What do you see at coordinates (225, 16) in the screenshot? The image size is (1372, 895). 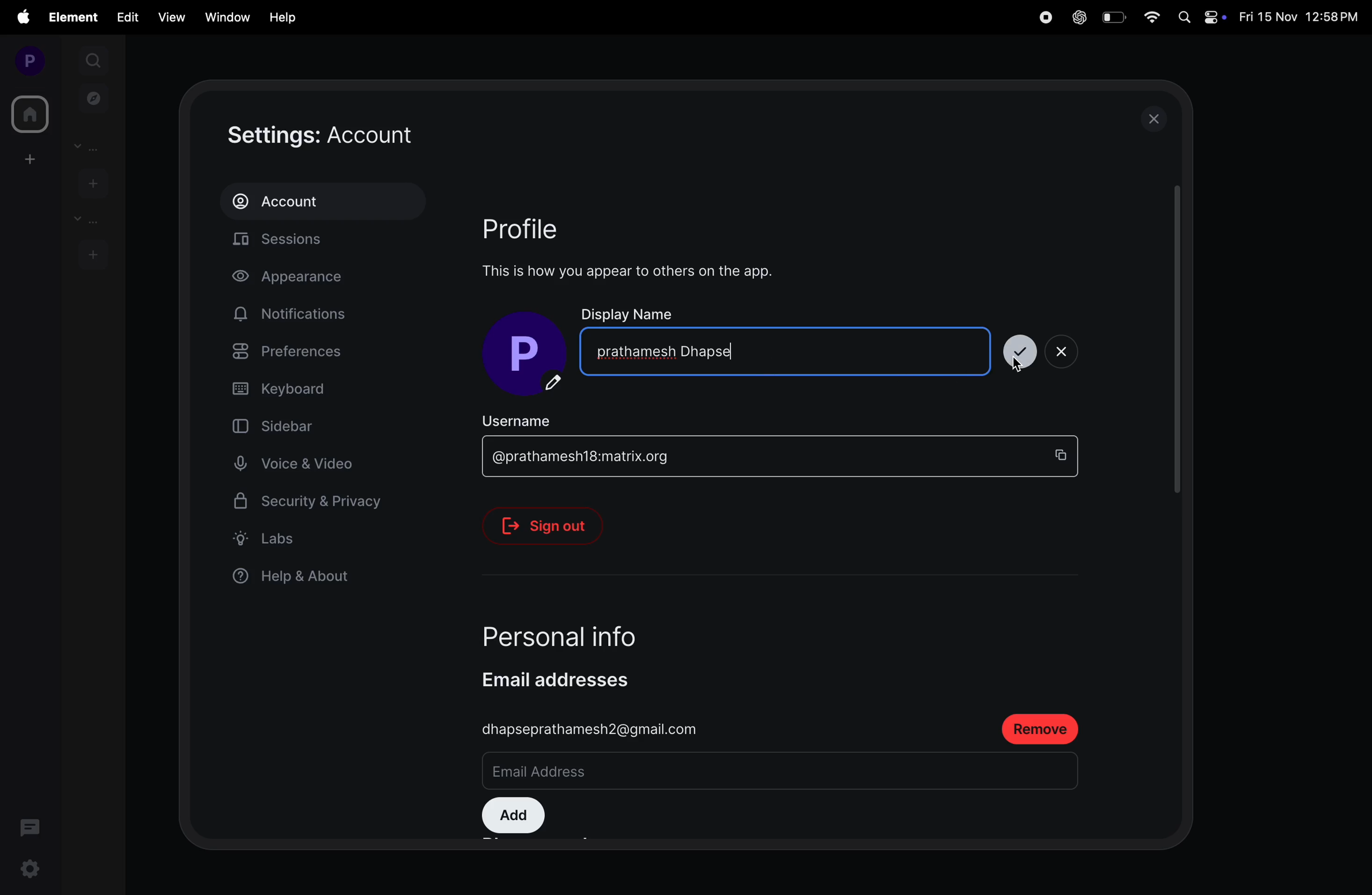 I see `window` at bounding box center [225, 16].